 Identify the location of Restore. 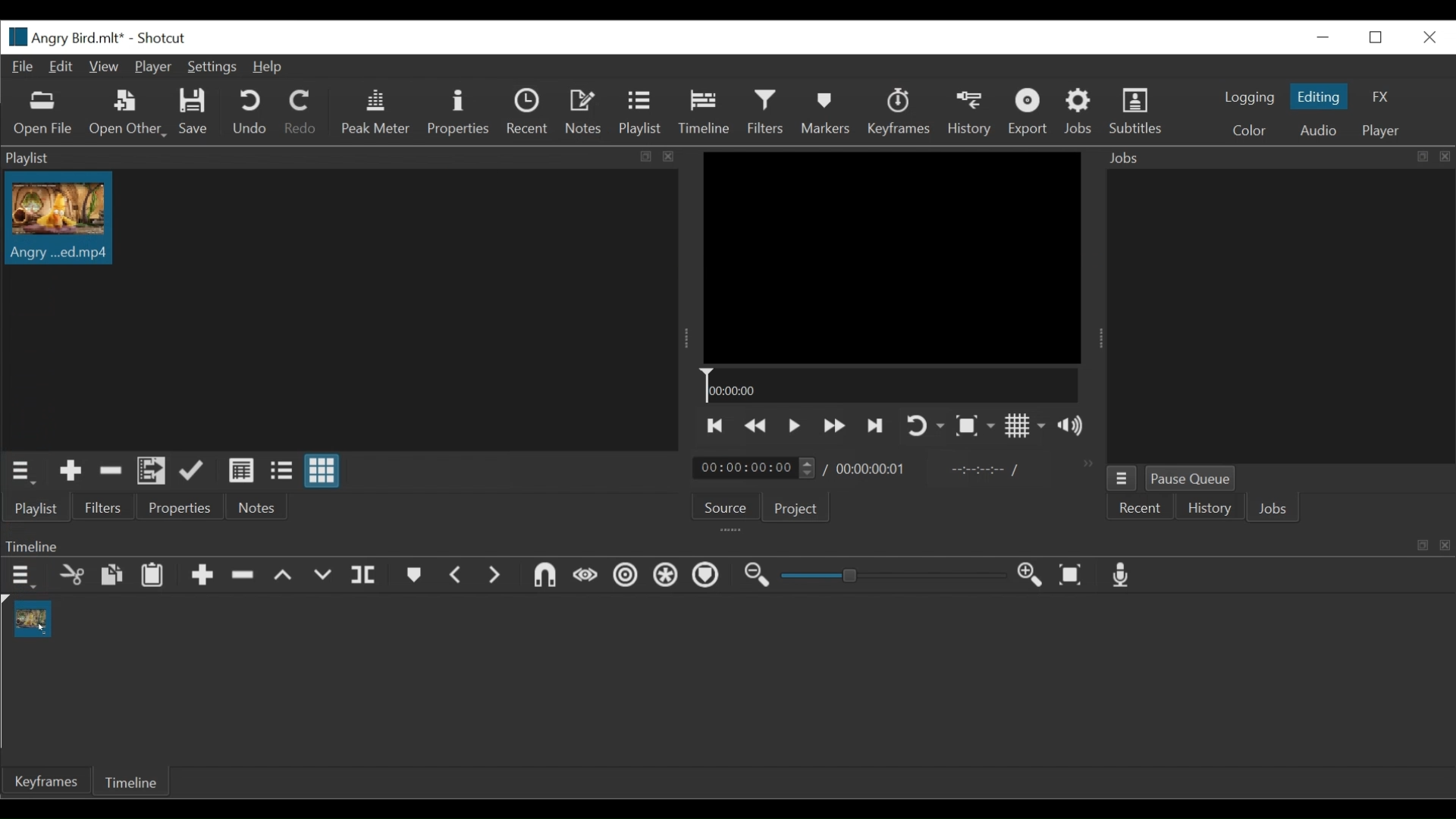
(1376, 38).